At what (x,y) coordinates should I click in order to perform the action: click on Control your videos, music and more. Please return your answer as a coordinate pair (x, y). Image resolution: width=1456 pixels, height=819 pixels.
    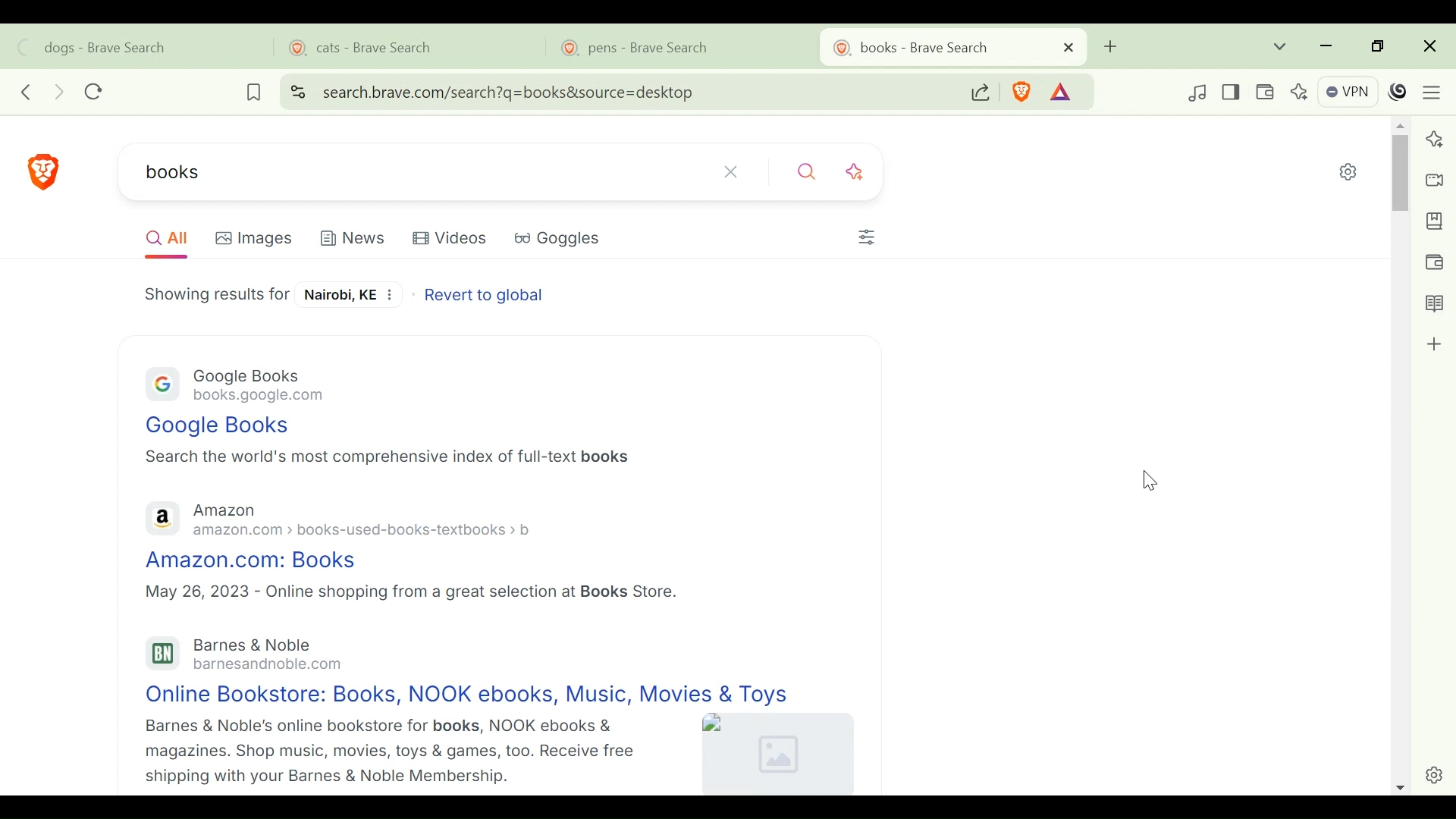
    Looking at the image, I should click on (1197, 92).